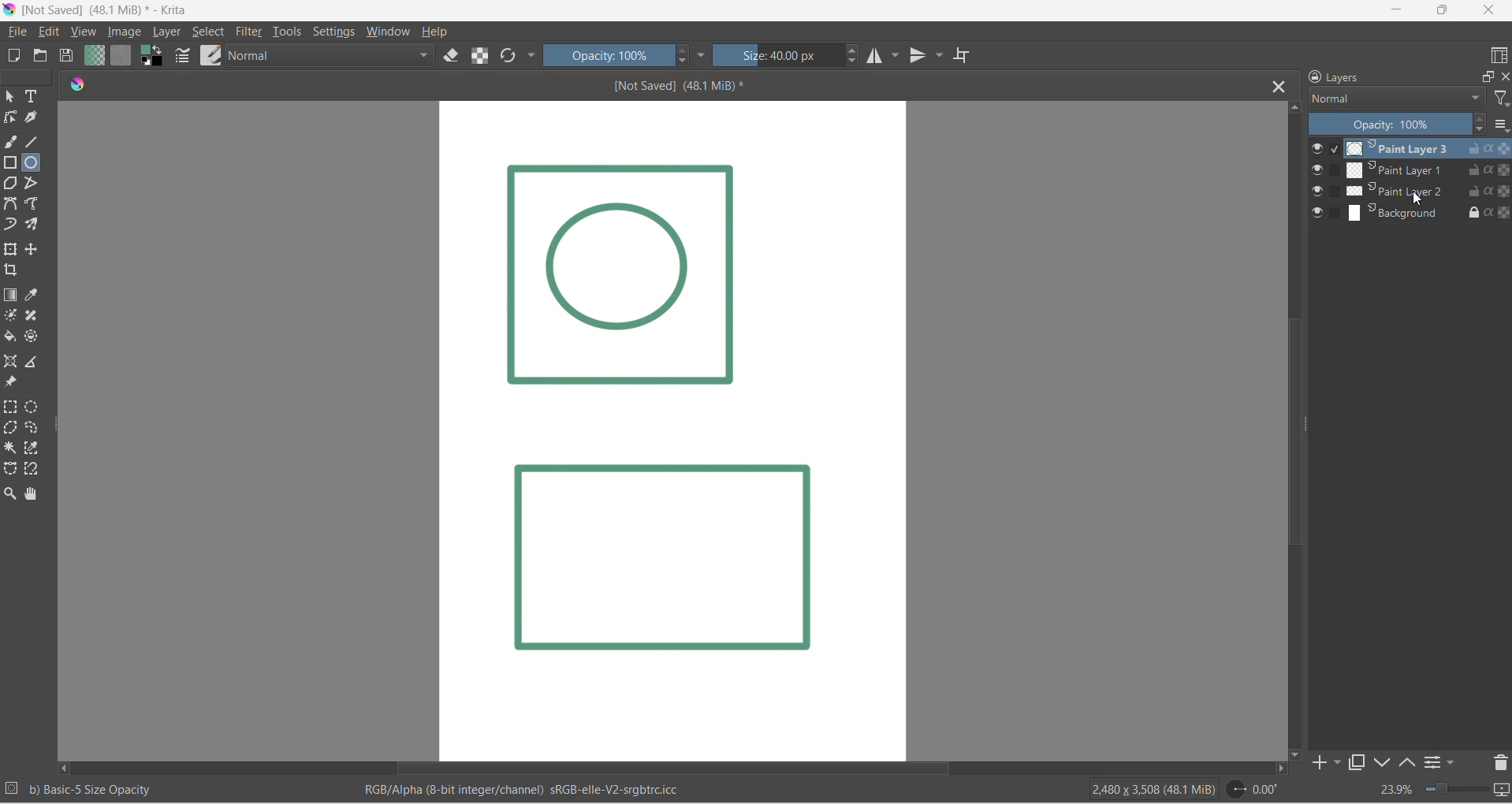 The height and width of the screenshot is (804, 1512). Describe the element at coordinates (13, 338) in the screenshot. I see `fill color` at that location.